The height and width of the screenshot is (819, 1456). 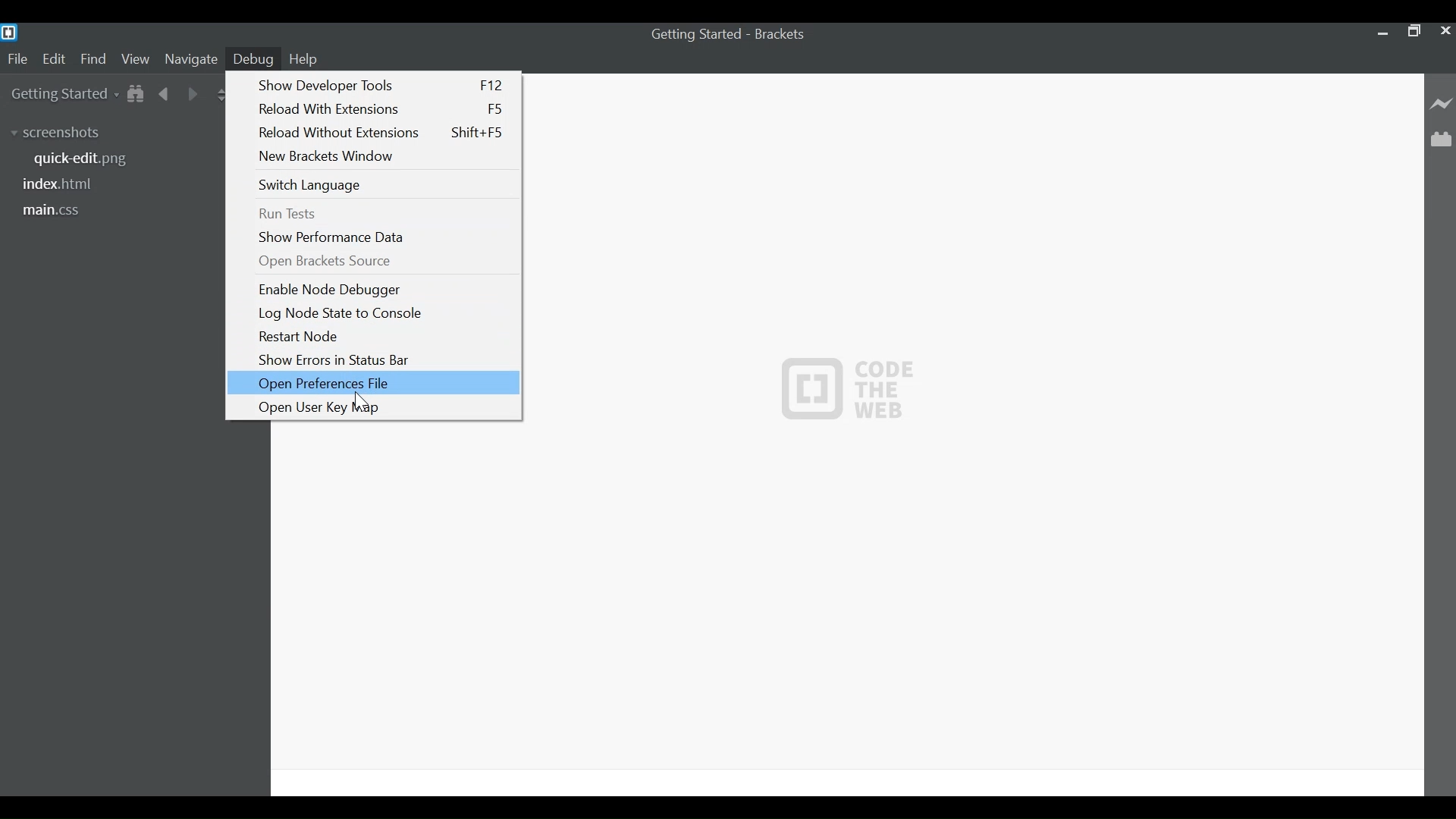 I want to click on Open Brackets Source, so click(x=324, y=261).